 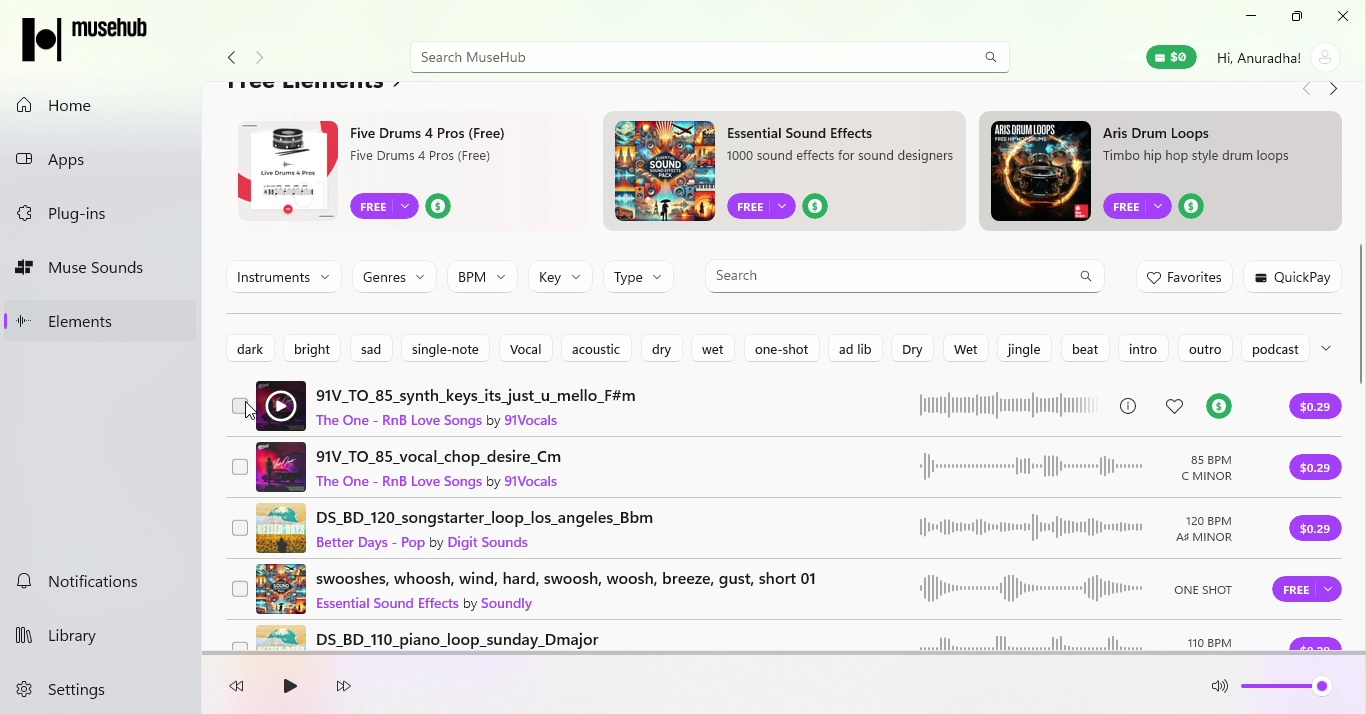 I want to click on Volume level, so click(x=1289, y=691).